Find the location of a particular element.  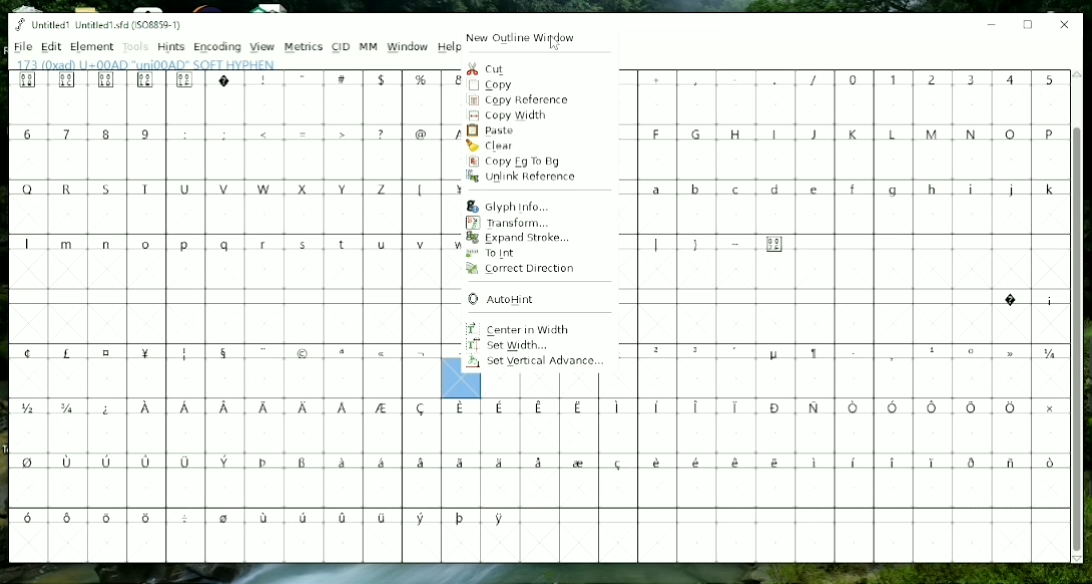

Letter name is located at coordinates (149, 65).